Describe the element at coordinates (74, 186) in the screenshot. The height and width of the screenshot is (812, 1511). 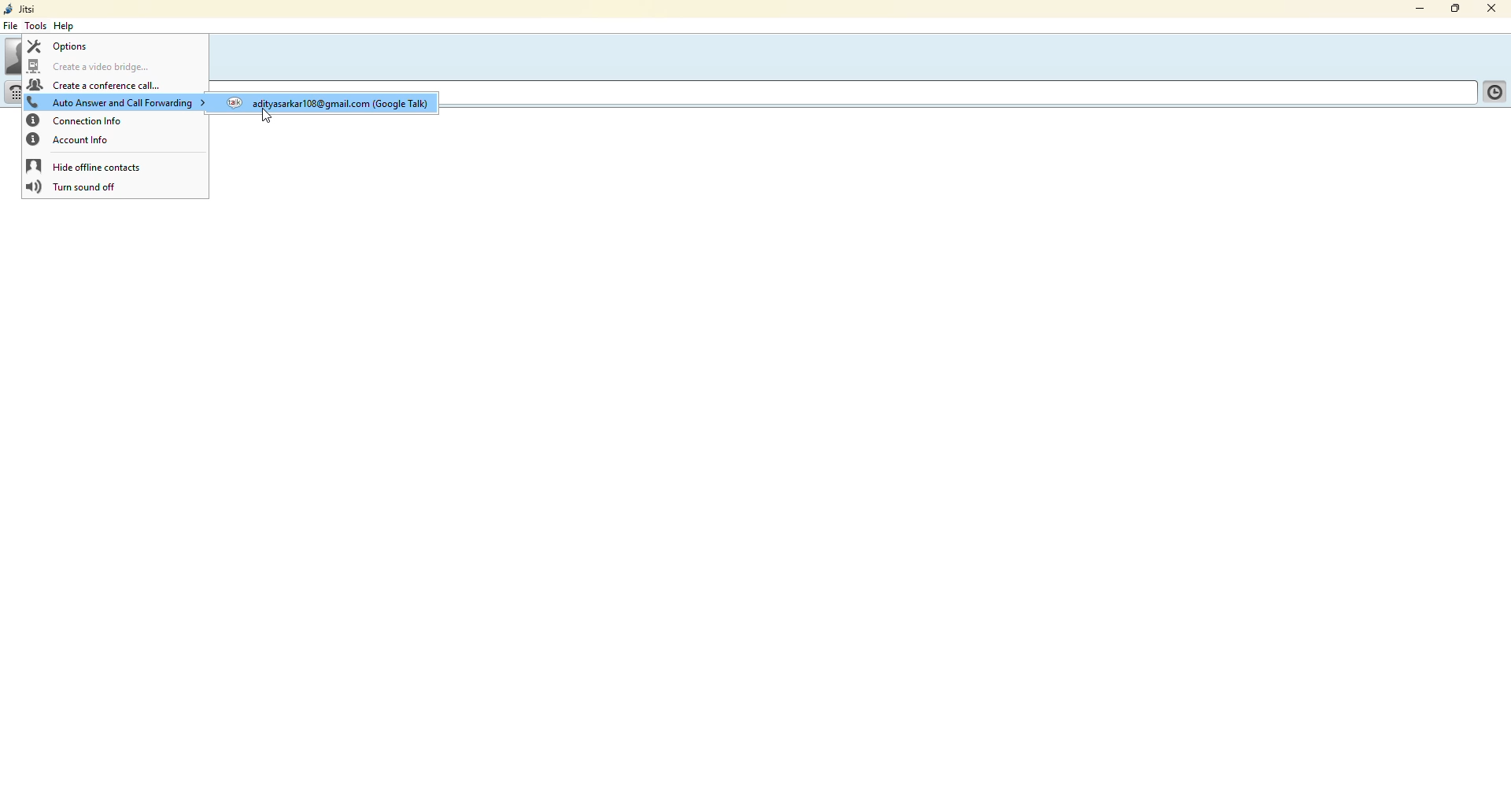
I see `turn sound off` at that location.